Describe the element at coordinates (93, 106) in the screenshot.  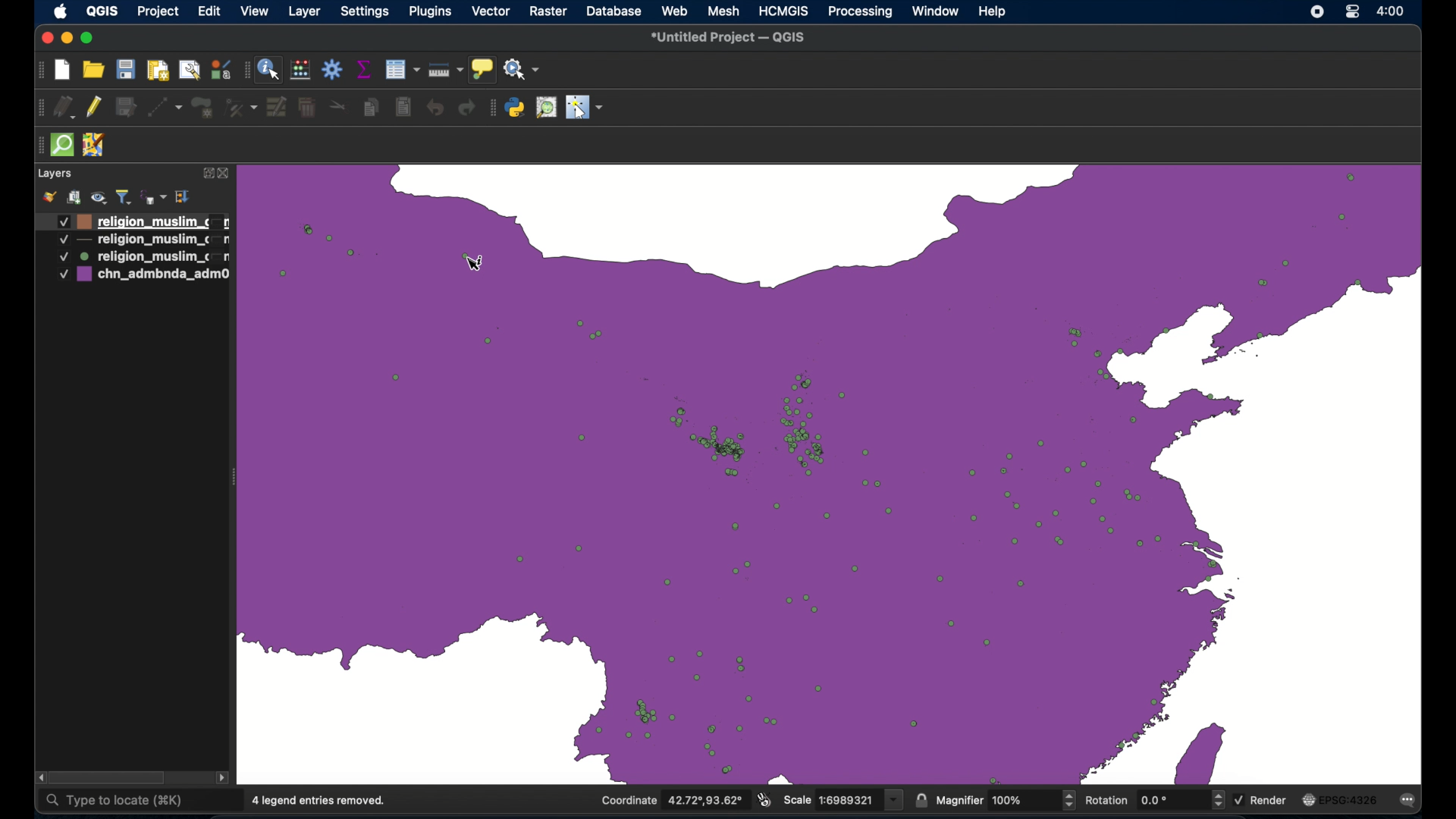
I see `toggle edits` at that location.